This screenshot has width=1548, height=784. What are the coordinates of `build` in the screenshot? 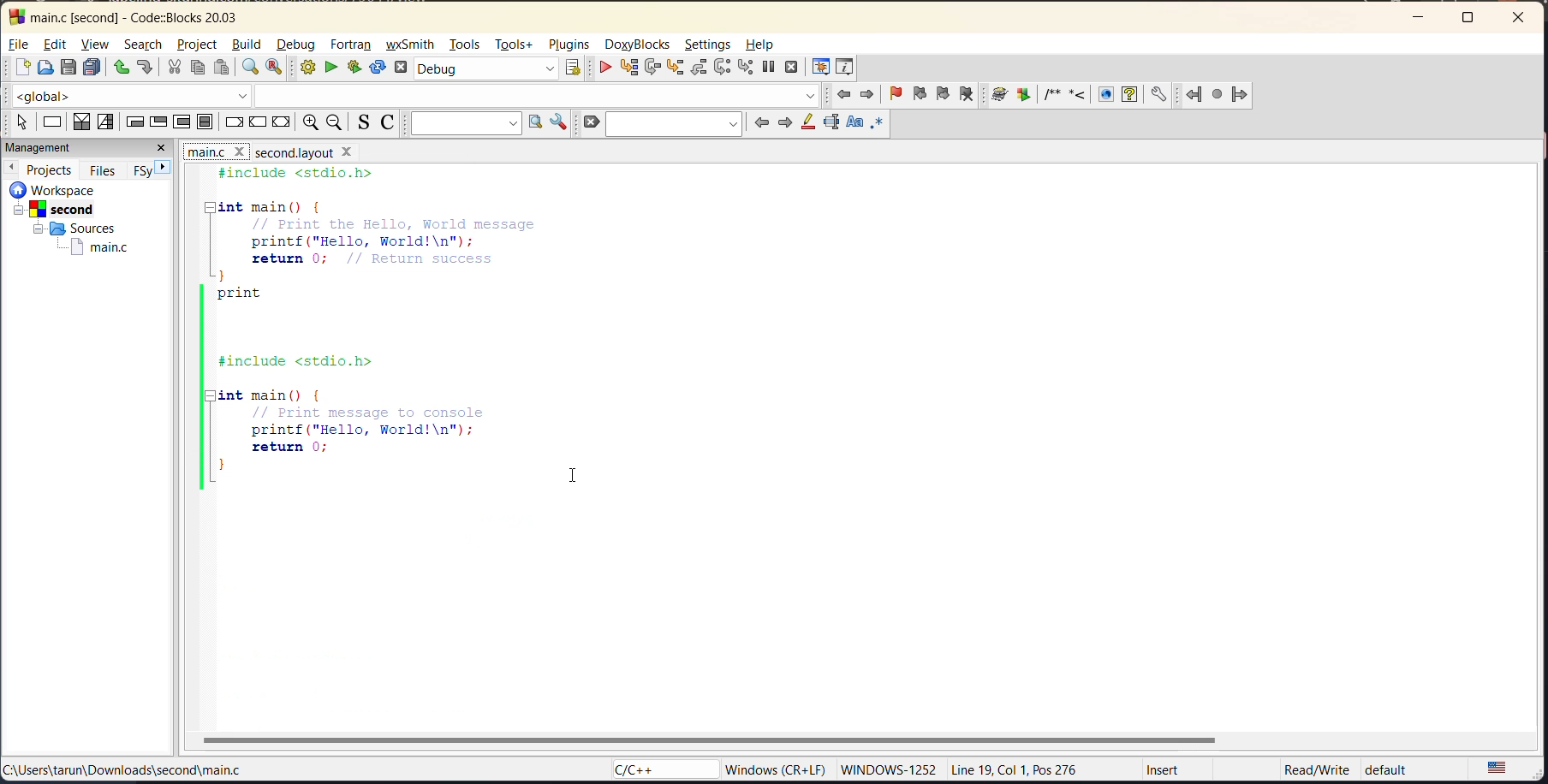 It's located at (310, 68).